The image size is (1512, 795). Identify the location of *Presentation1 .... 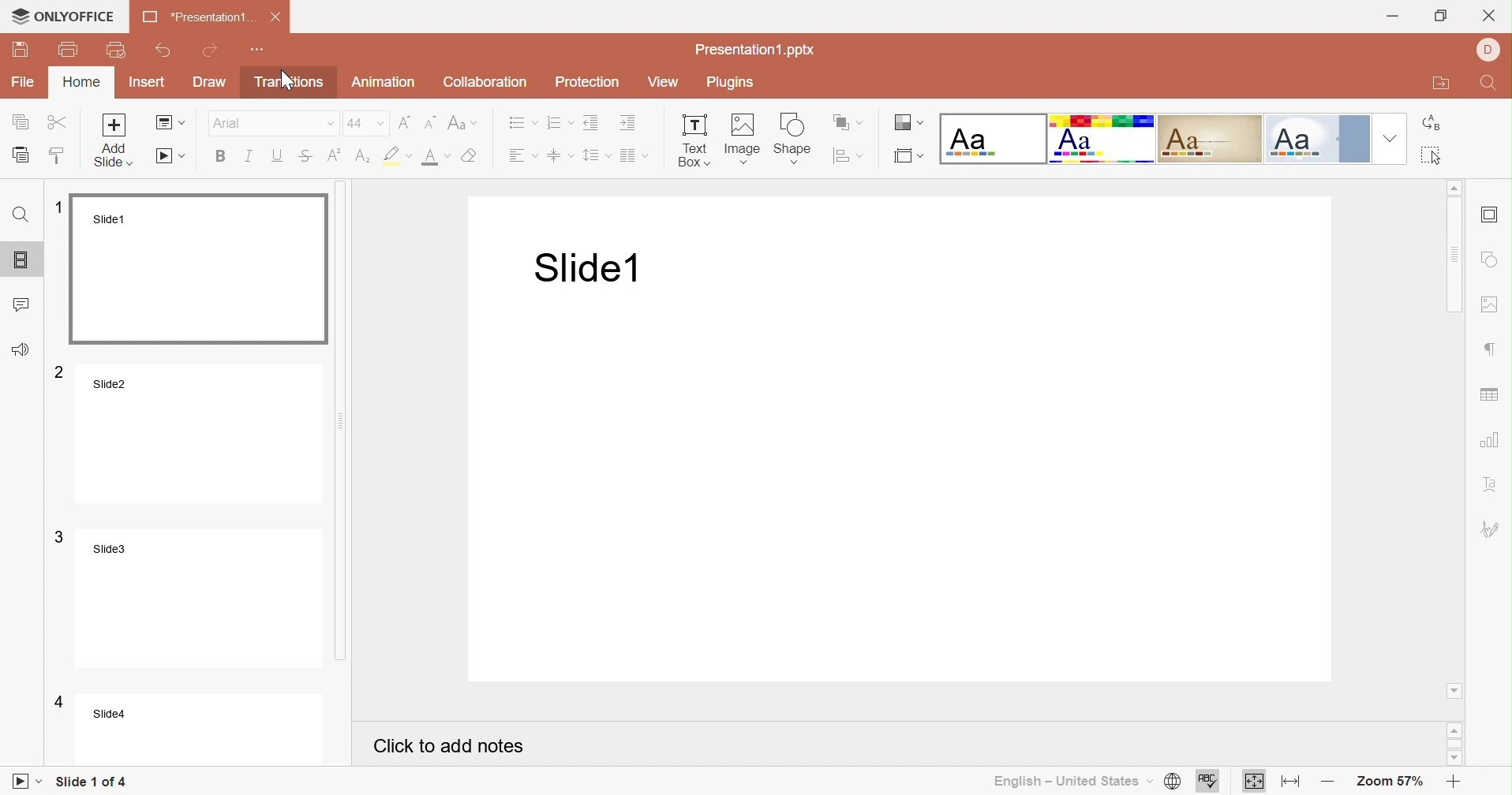
(199, 17).